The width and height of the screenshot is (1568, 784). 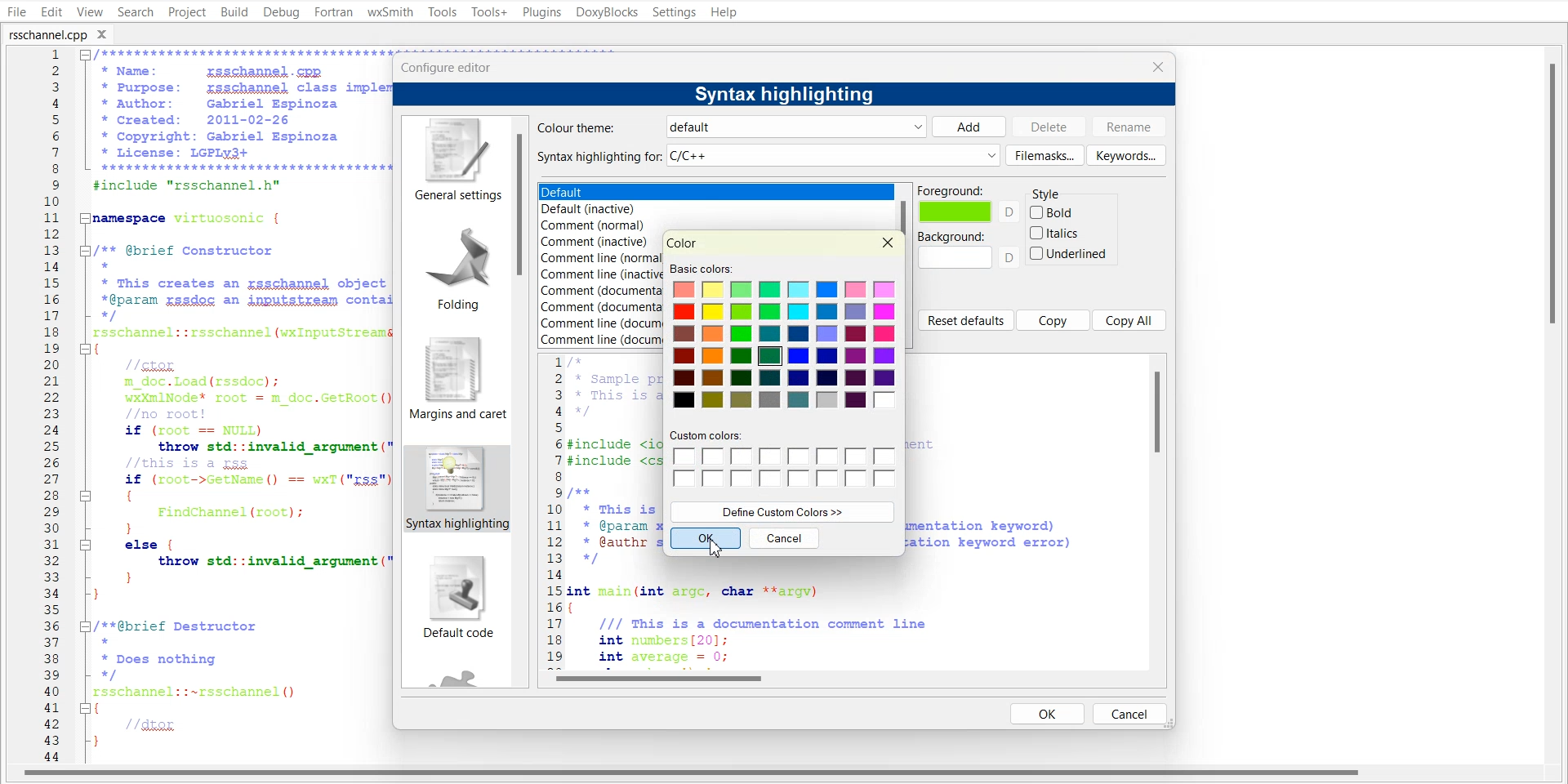 I want to click on Edit, so click(x=51, y=11).